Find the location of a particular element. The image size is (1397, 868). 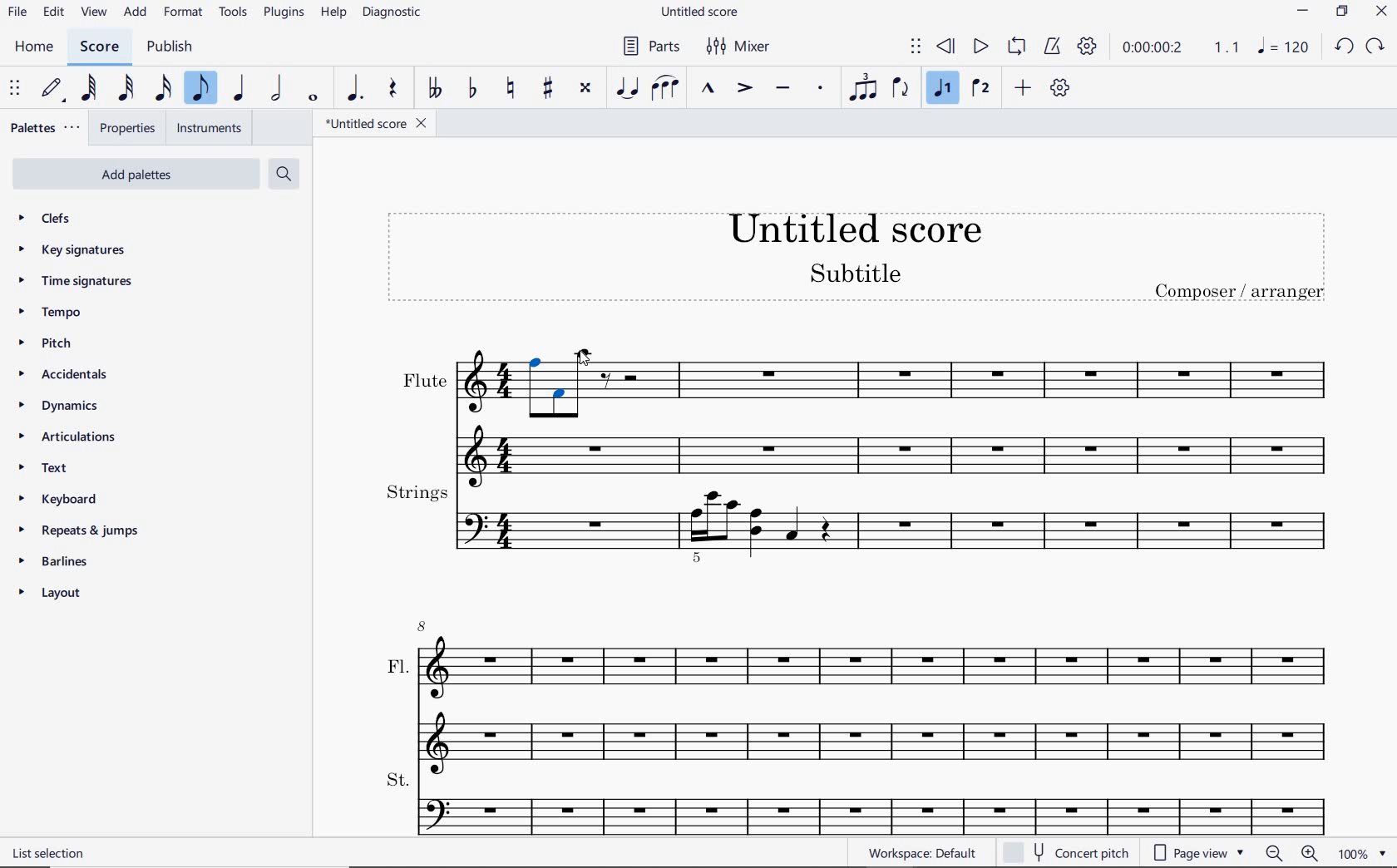

PLUGINS is located at coordinates (285, 14).